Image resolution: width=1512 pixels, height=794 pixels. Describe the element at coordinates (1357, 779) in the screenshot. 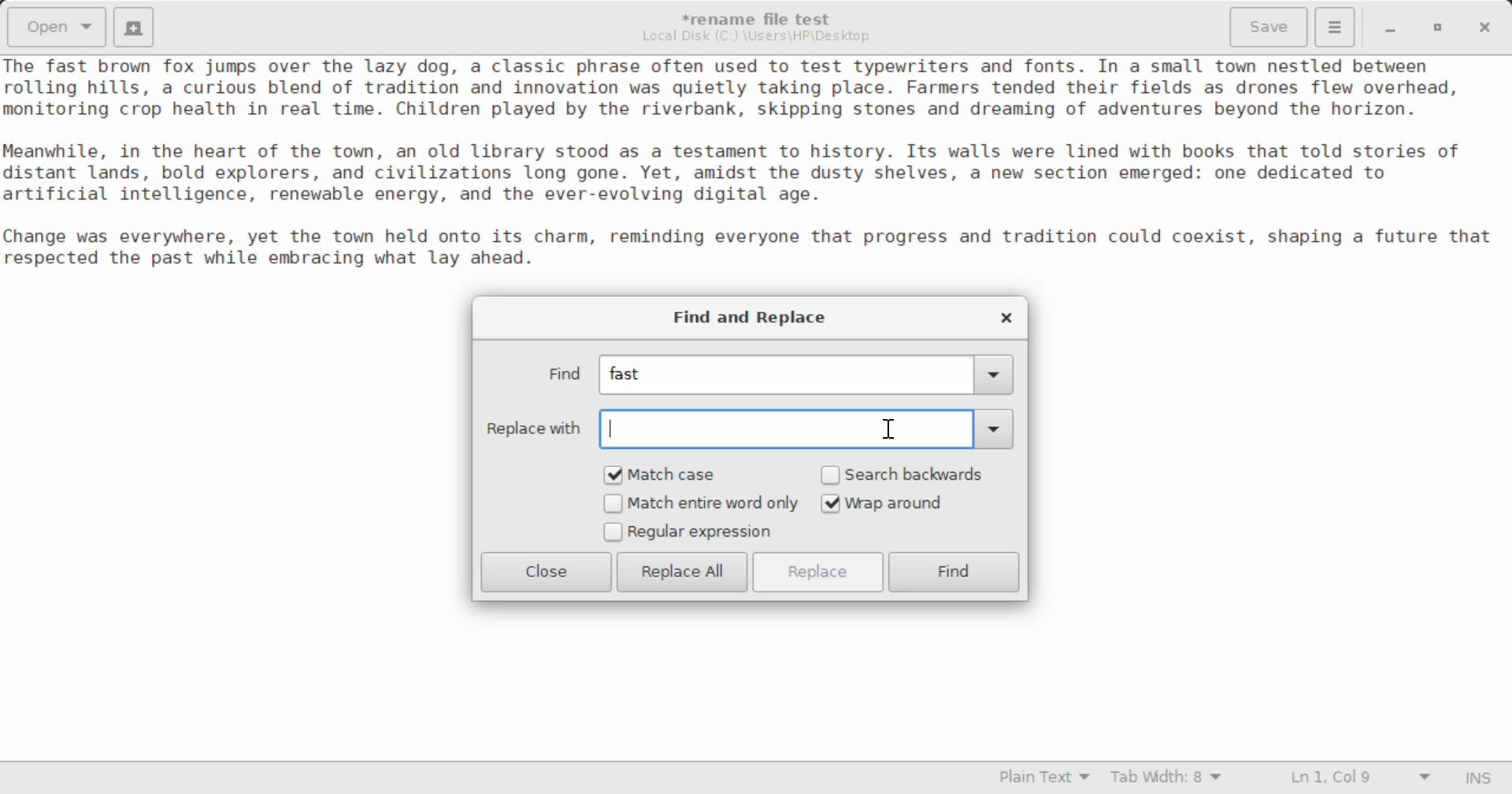

I see `Line and Character Count` at that location.